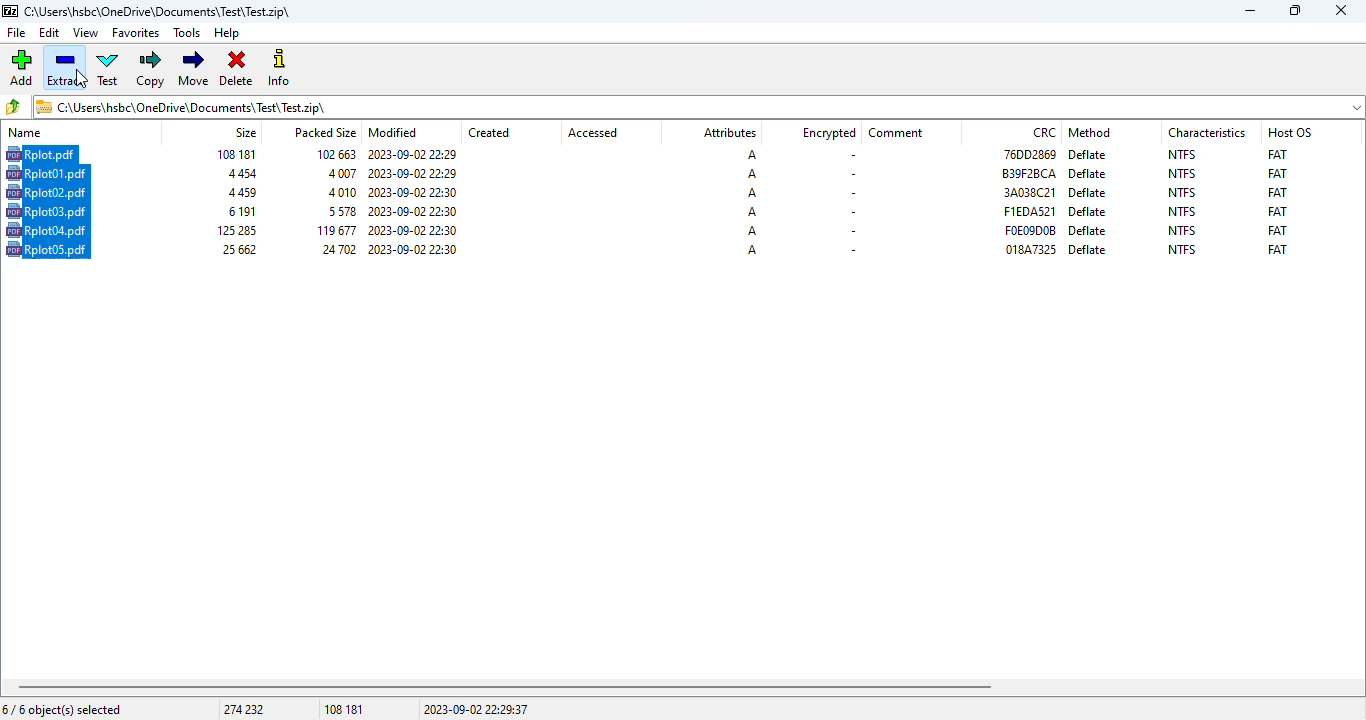 The width and height of the screenshot is (1366, 720). What do you see at coordinates (1182, 174) in the screenshot?
I see `NTFS` at bounding box center [1182, 174].